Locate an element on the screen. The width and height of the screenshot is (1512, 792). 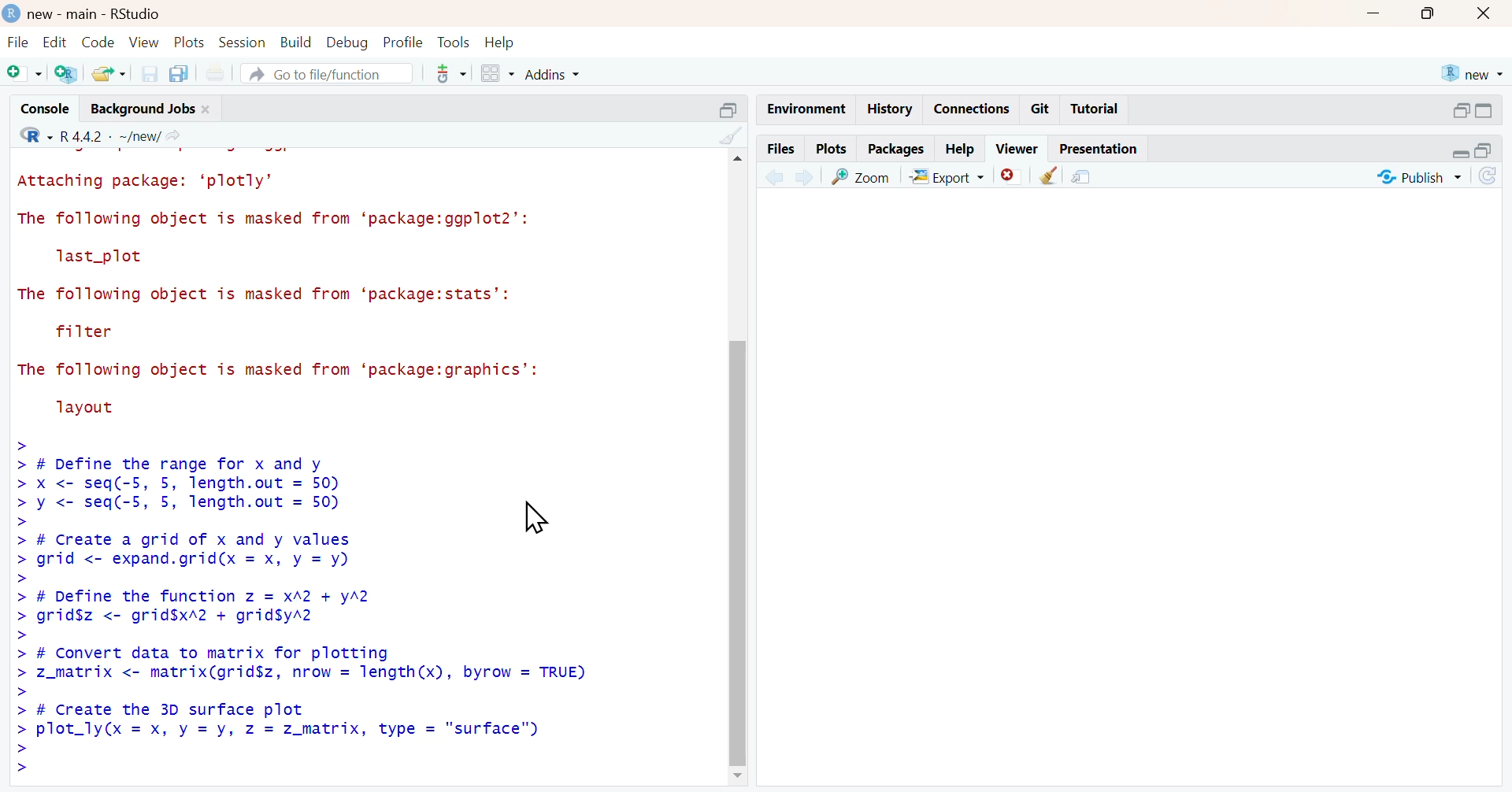
The following object is masked from ‘package:graphics’: is located at coordinates (292, 371).